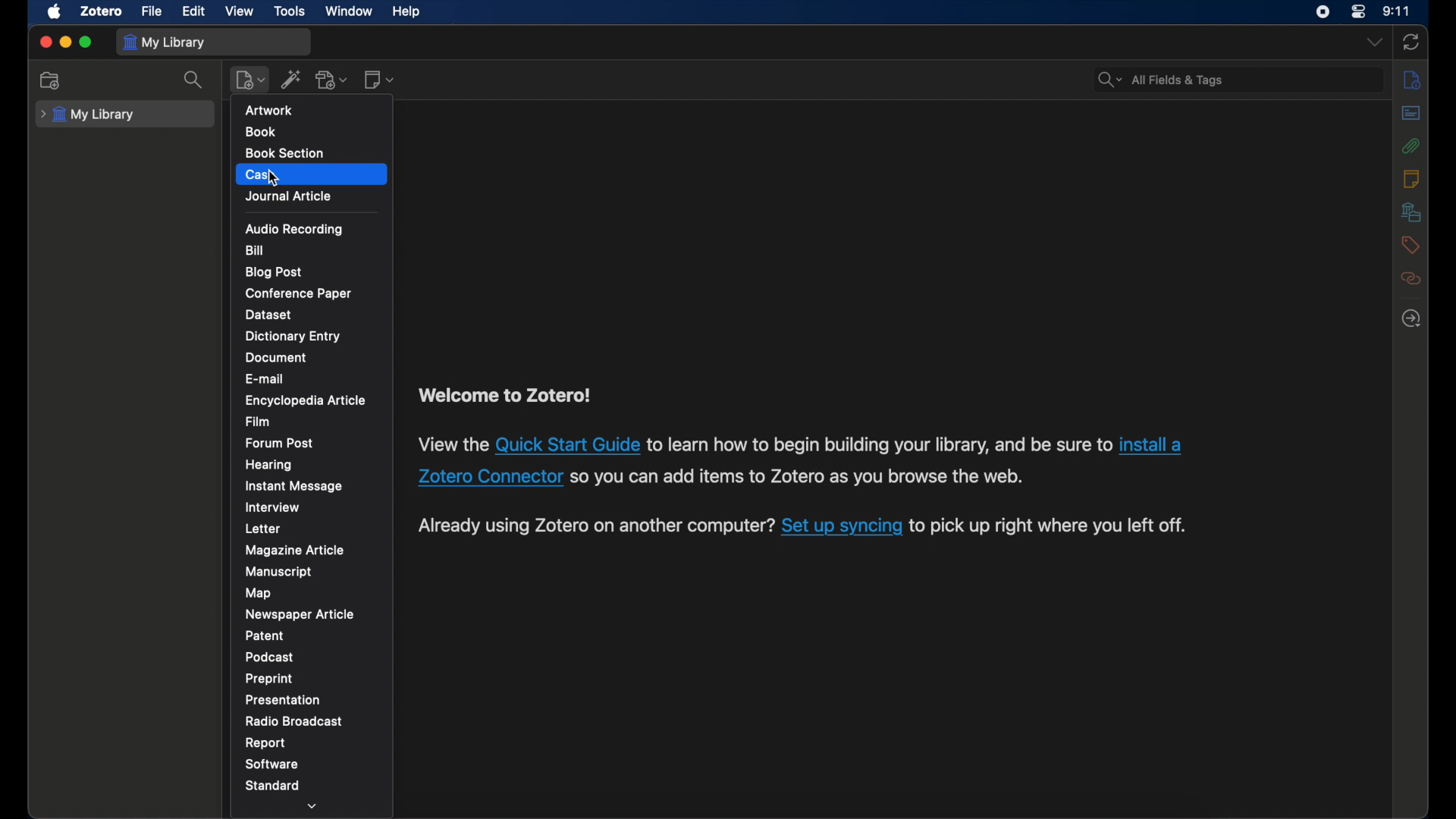 This screenshot has height=819, width=1456. What do you see at coordinates (263, 529) in the screenshot?
I see `letter` at bounding box center [263, 529].